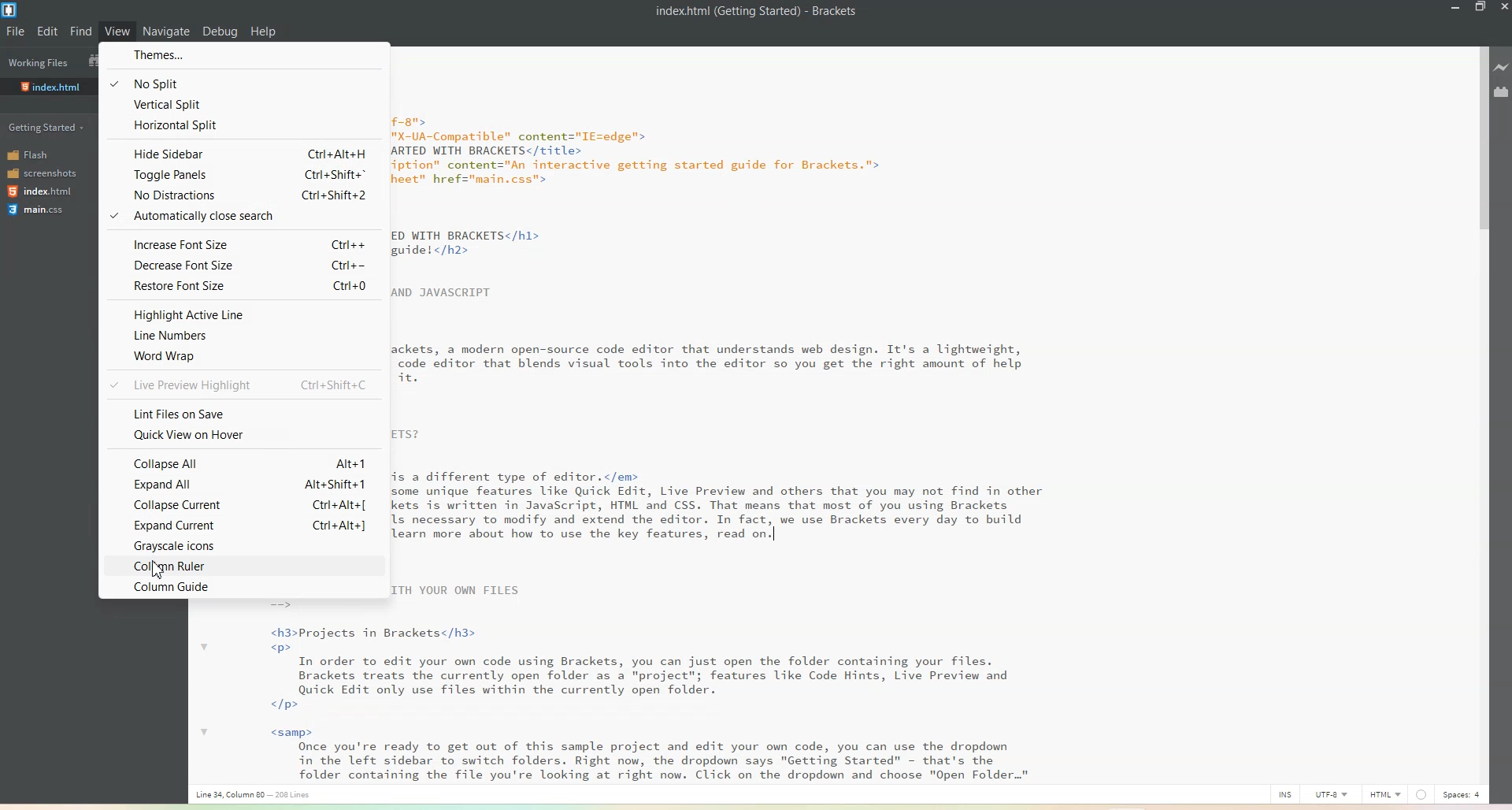  Describe the element at coordinates (242, 153) in the screenshot. I see `Hide Sidebar` at that location.